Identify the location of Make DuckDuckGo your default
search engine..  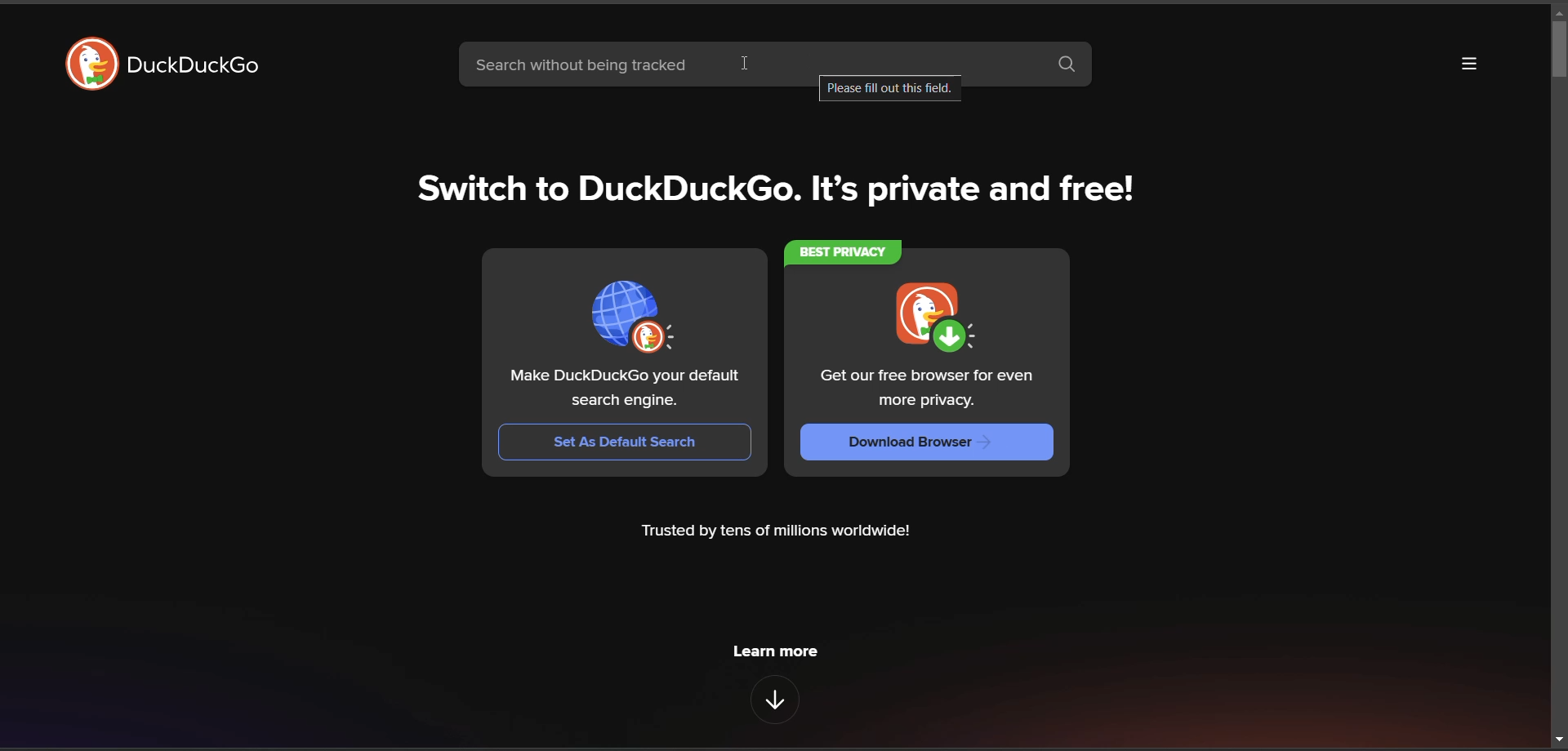
(631, 391).